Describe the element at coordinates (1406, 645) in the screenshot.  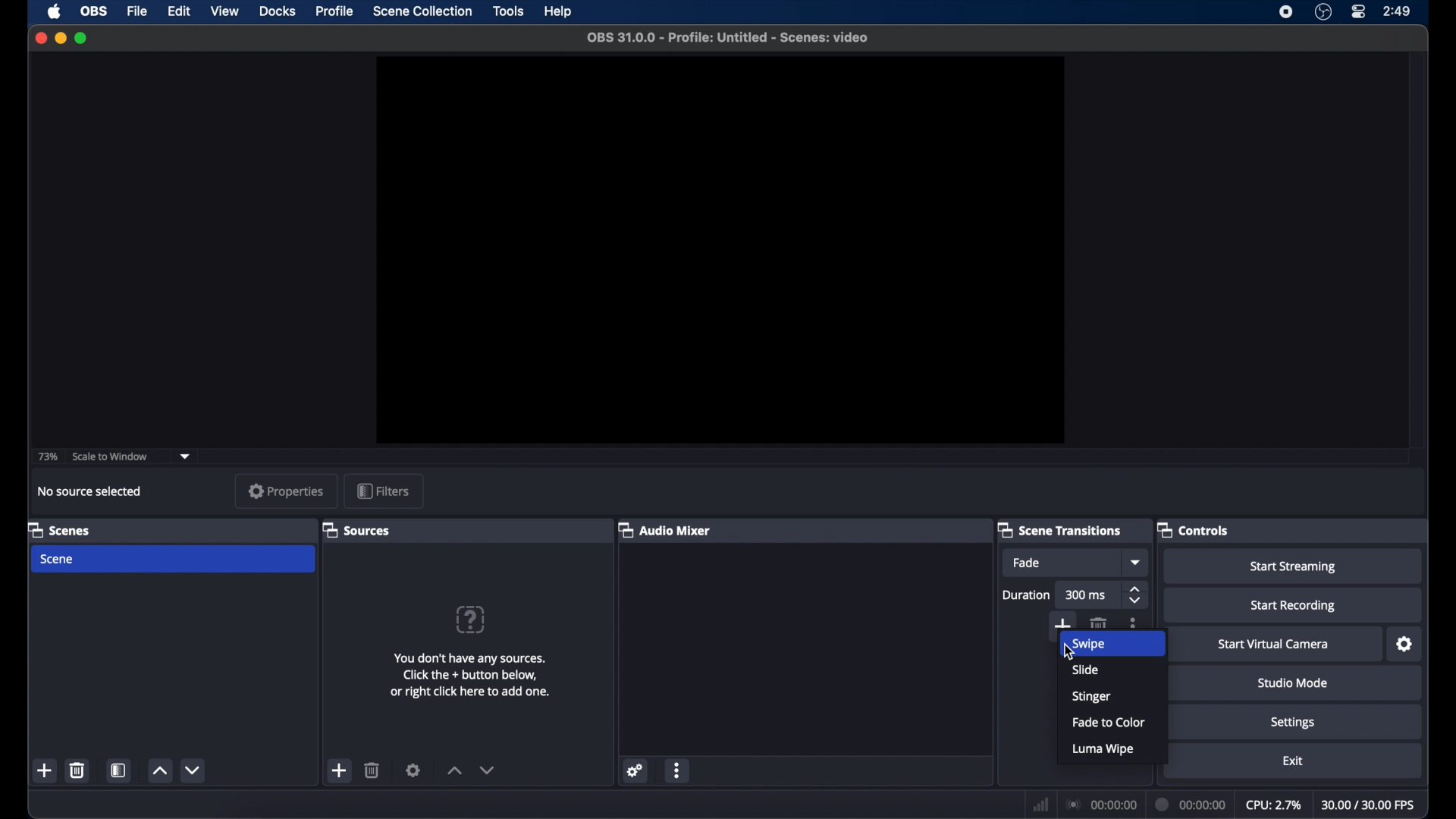
I see `settings` at that location.